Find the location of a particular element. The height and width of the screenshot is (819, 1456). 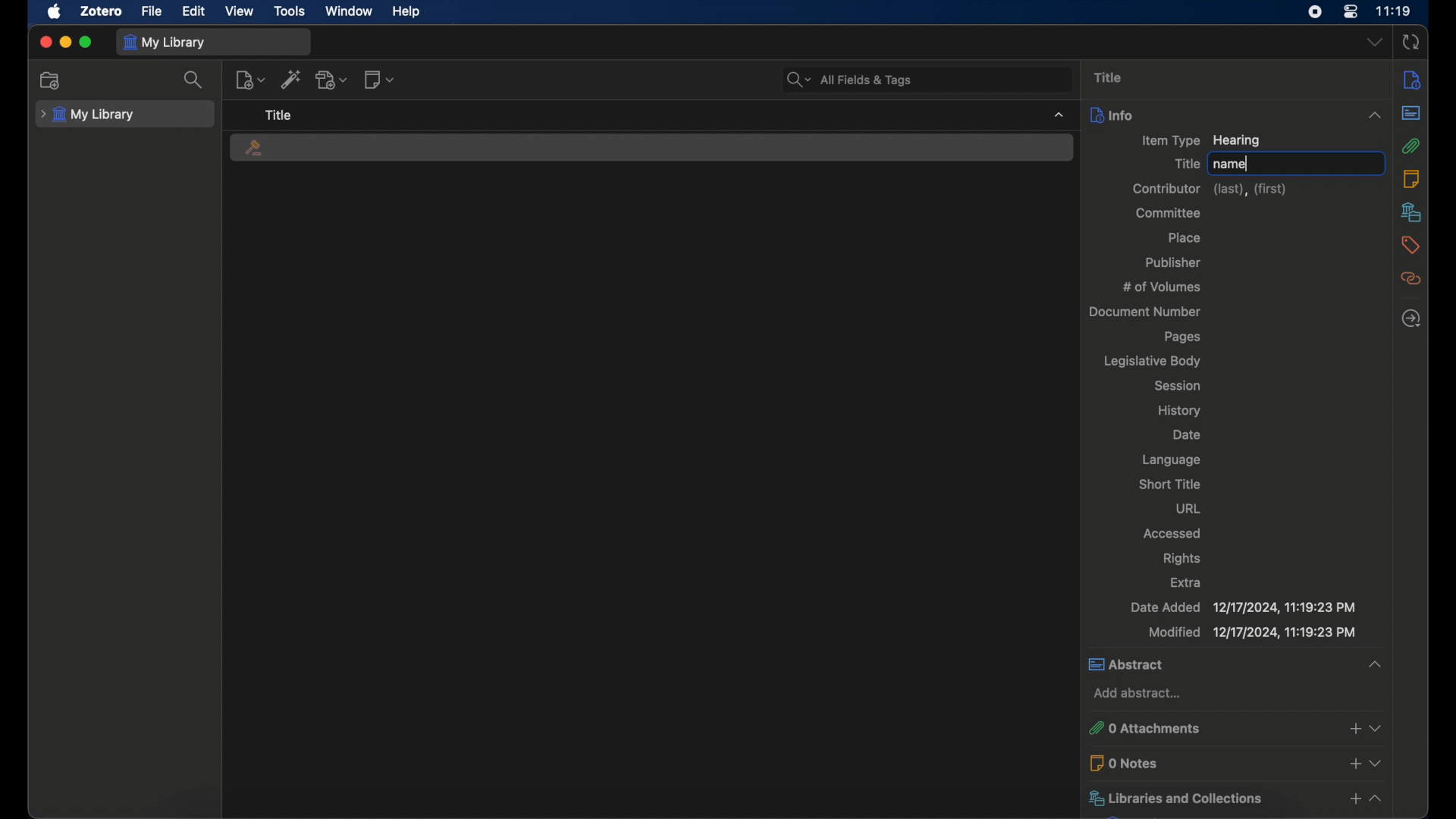

document number is located at coordinates (1147, 312).